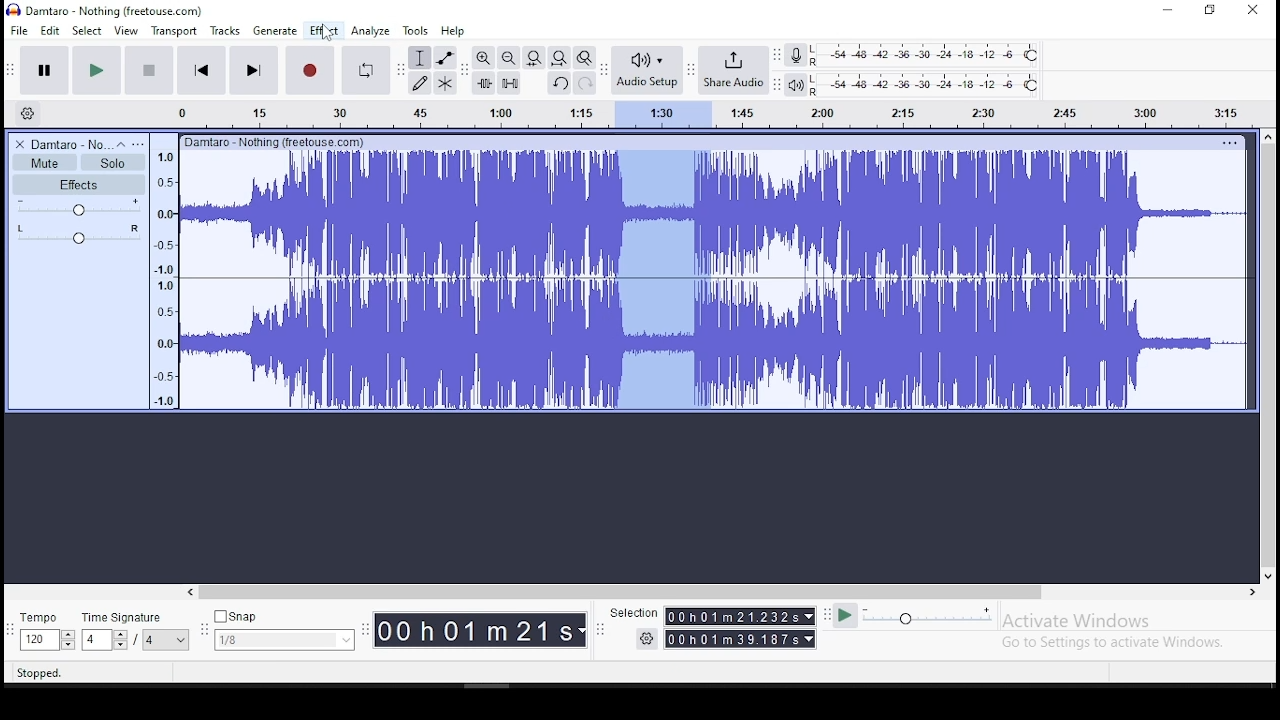 The image size is (1280, 720). Describe the element at coordinates (1169, 11) in the screenshot. I see `minimize` at that location.